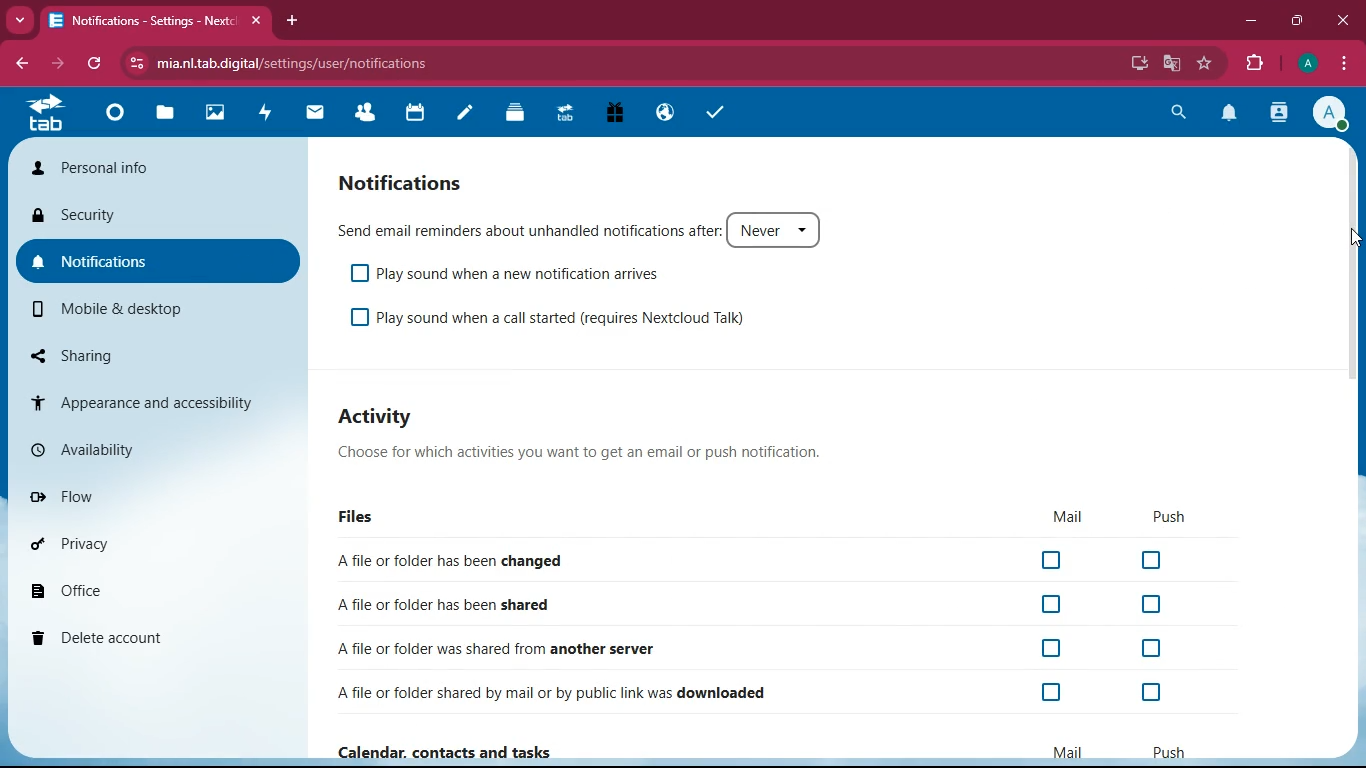  What do you see at coordinates (1345, 63) in the screenshot?
I see `options` at bounding box center [1345, 63].